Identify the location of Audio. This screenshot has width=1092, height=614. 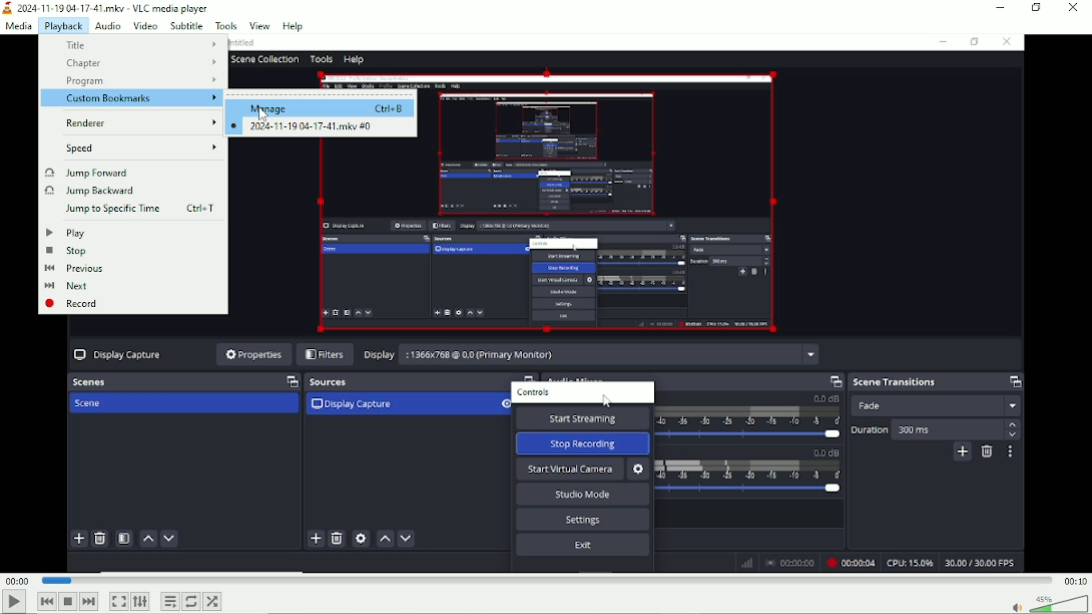
(106, 25).